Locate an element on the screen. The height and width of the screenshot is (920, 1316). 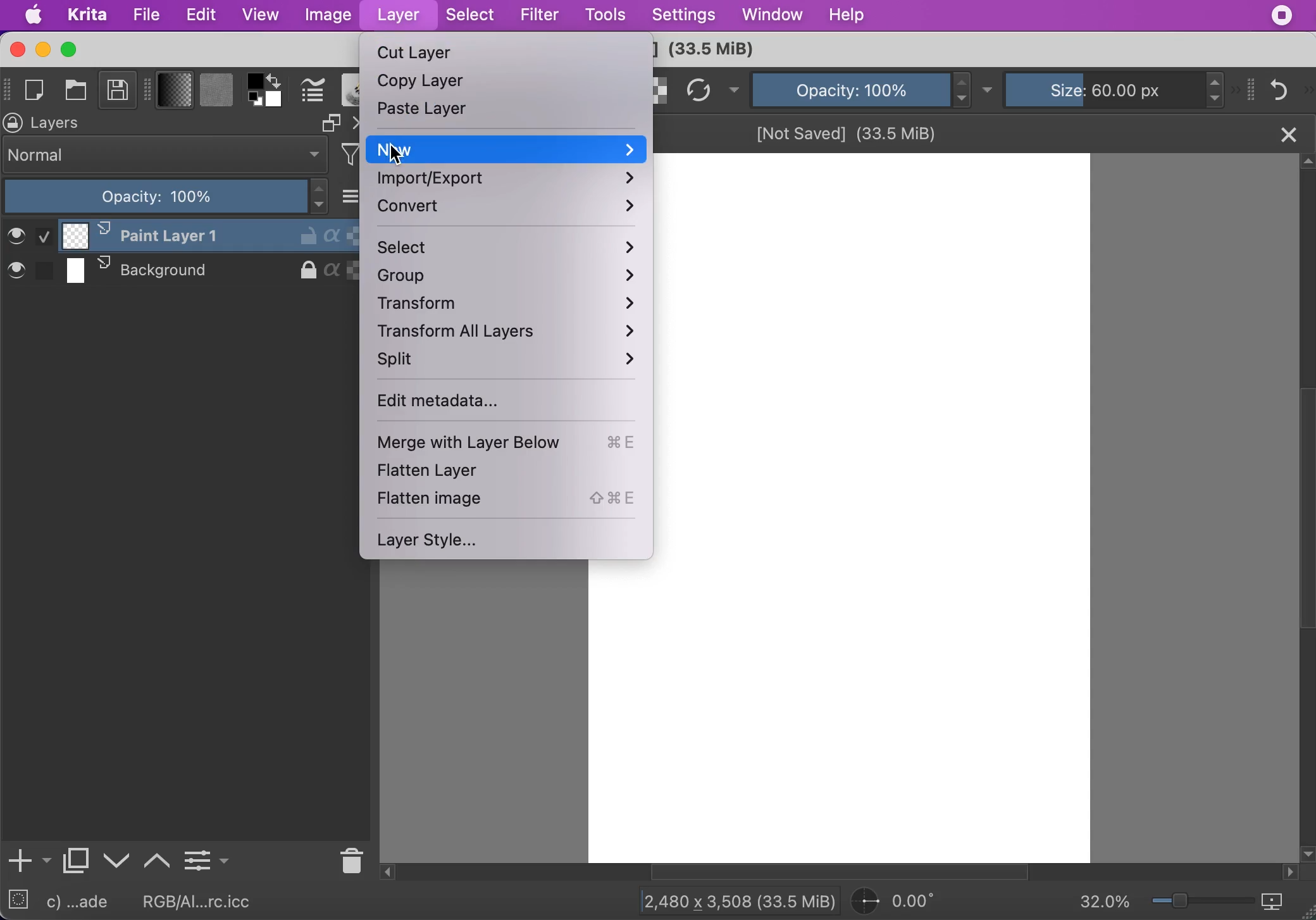
paint layer 1 is located at coordinates (178, 235).